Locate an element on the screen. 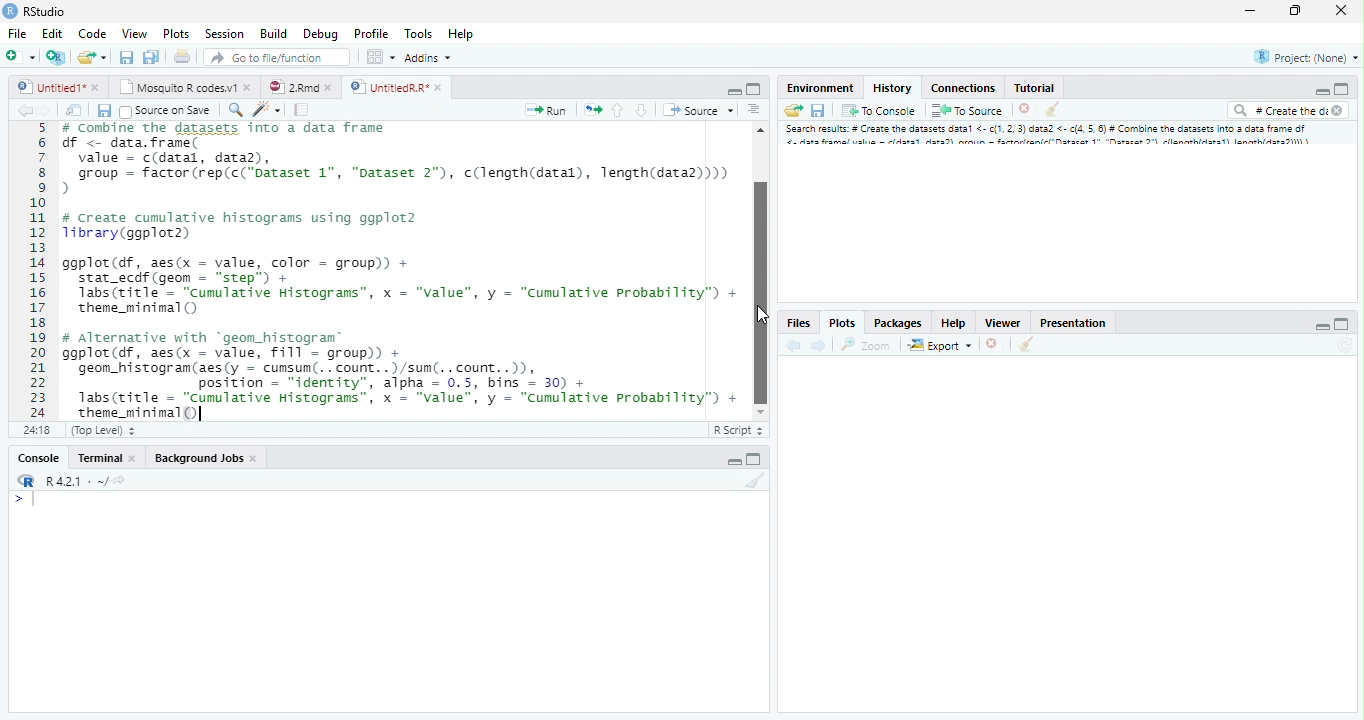  Maximize is located at coordinates (757, 460).